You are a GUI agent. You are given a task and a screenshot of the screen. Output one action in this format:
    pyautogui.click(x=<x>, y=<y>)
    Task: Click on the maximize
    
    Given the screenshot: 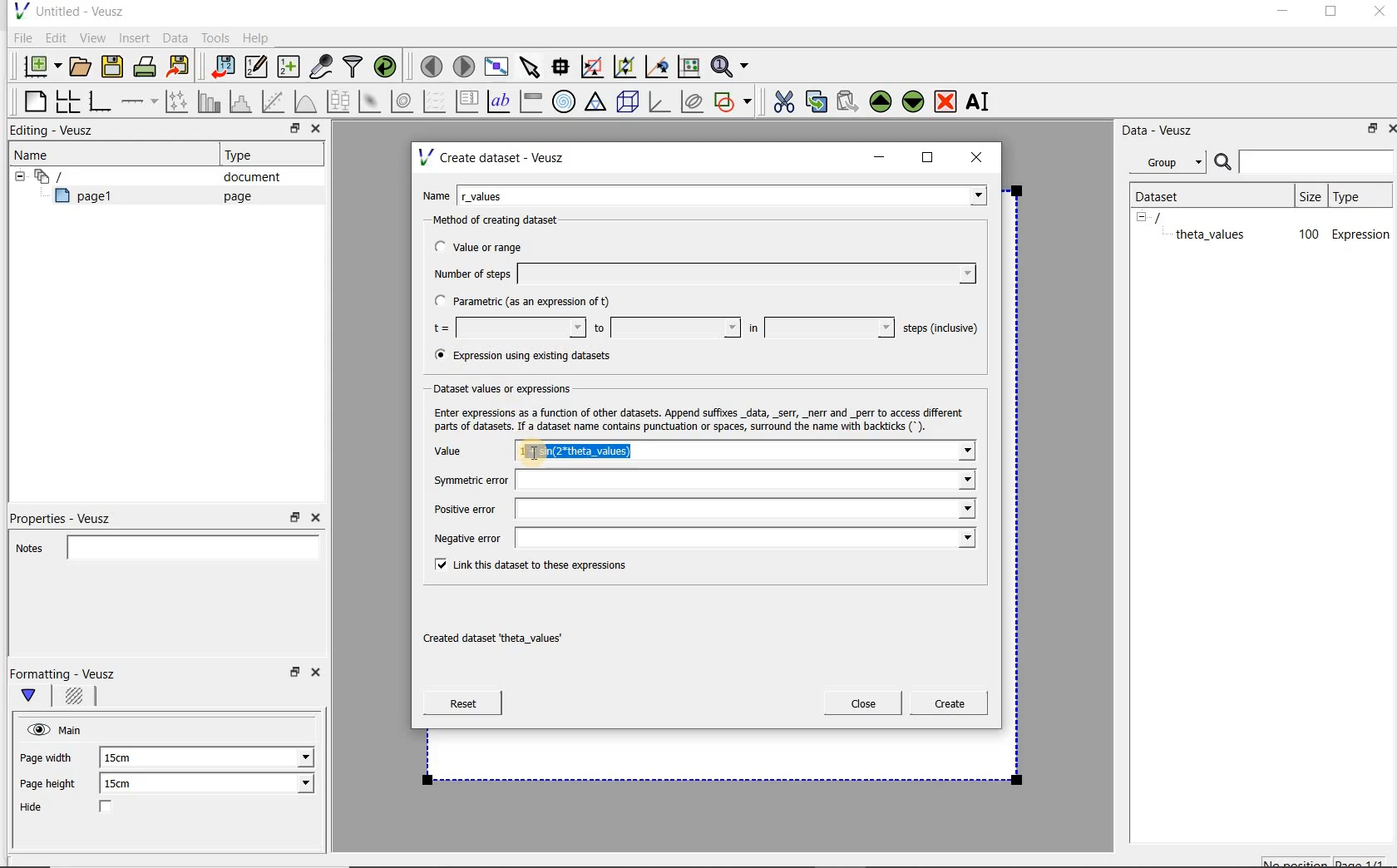 What is the action you would take?
    pyautogui.click(x=1331, y=14)
    